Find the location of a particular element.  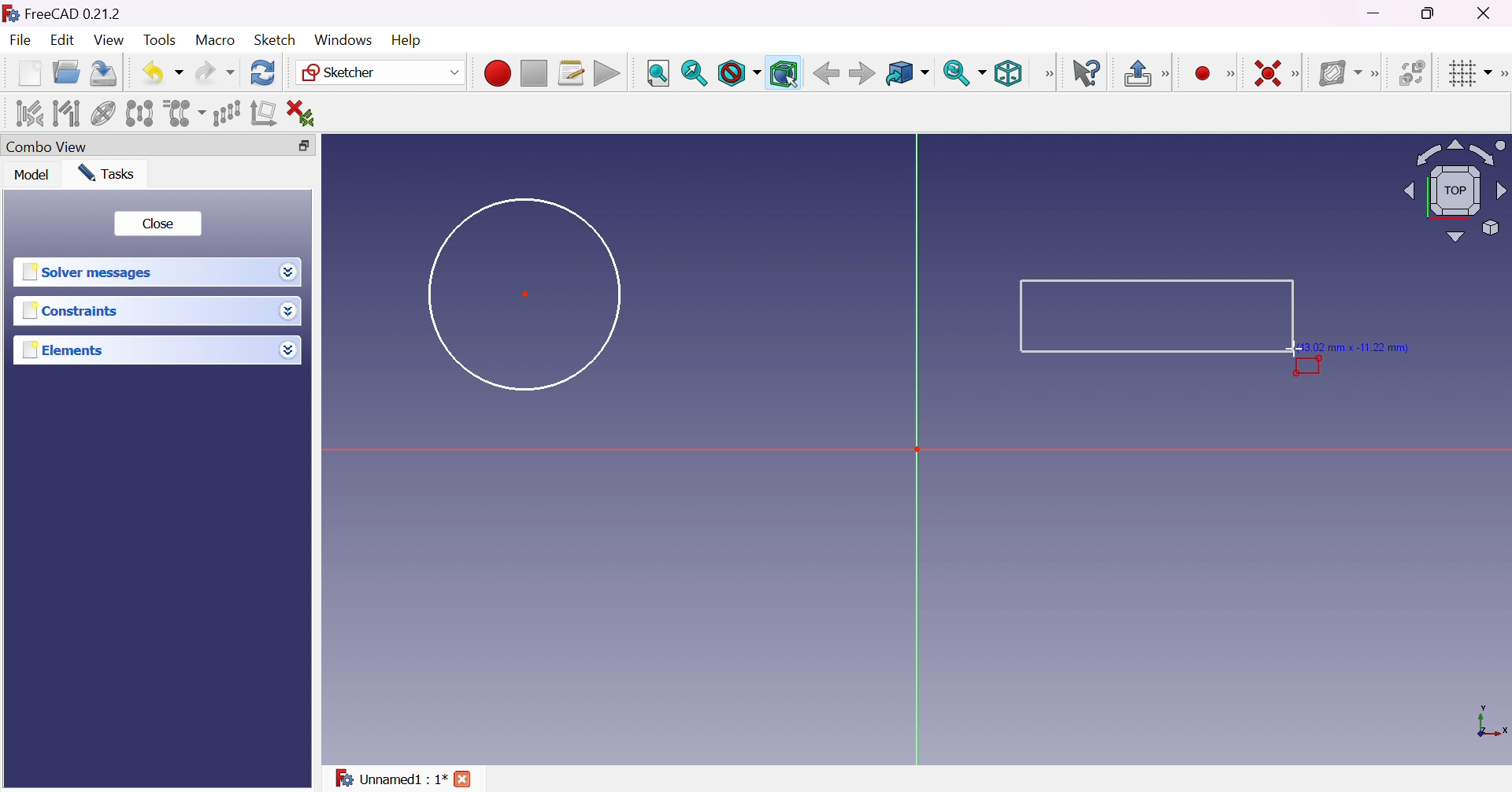

Undo is located at coordinates (163, 72).